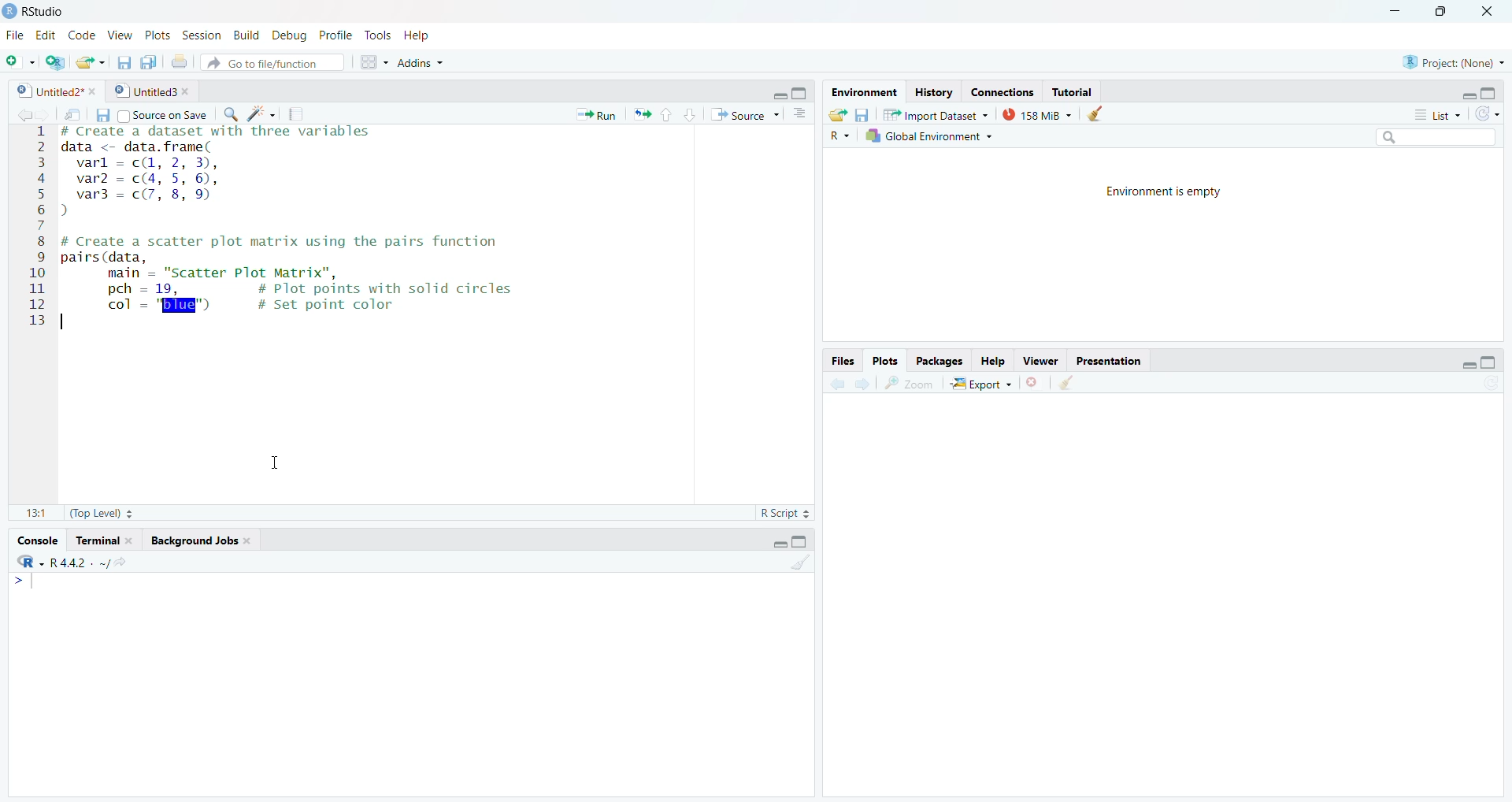 The width and height of the screenshot is (1512, 802). What do you see at coordinates (423, 66) in the screenshot?
I see `Addins ~` at bounding box center [423, 66].